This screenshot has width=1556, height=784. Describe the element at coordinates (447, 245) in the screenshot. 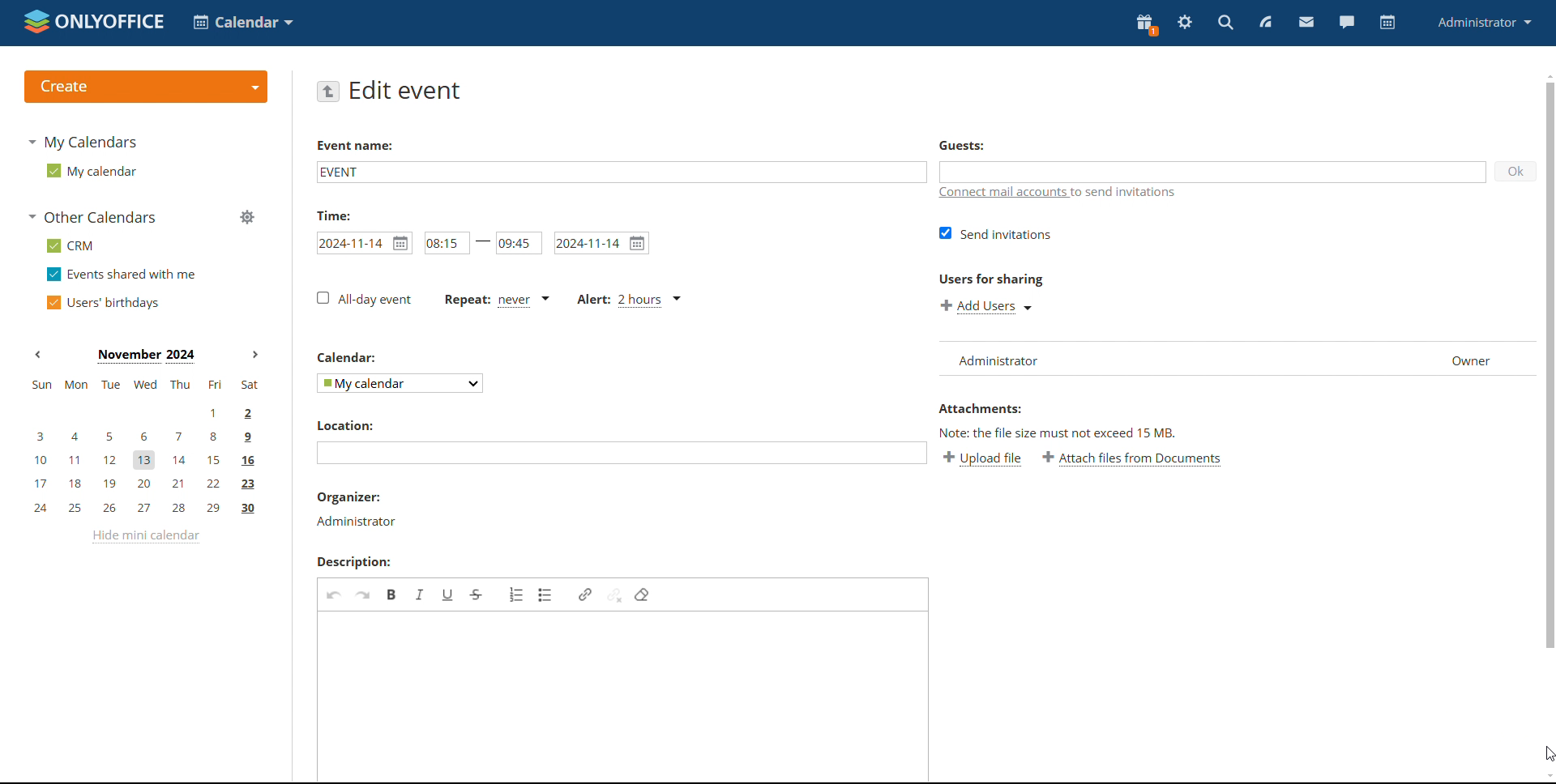

I see `start time` at that location.